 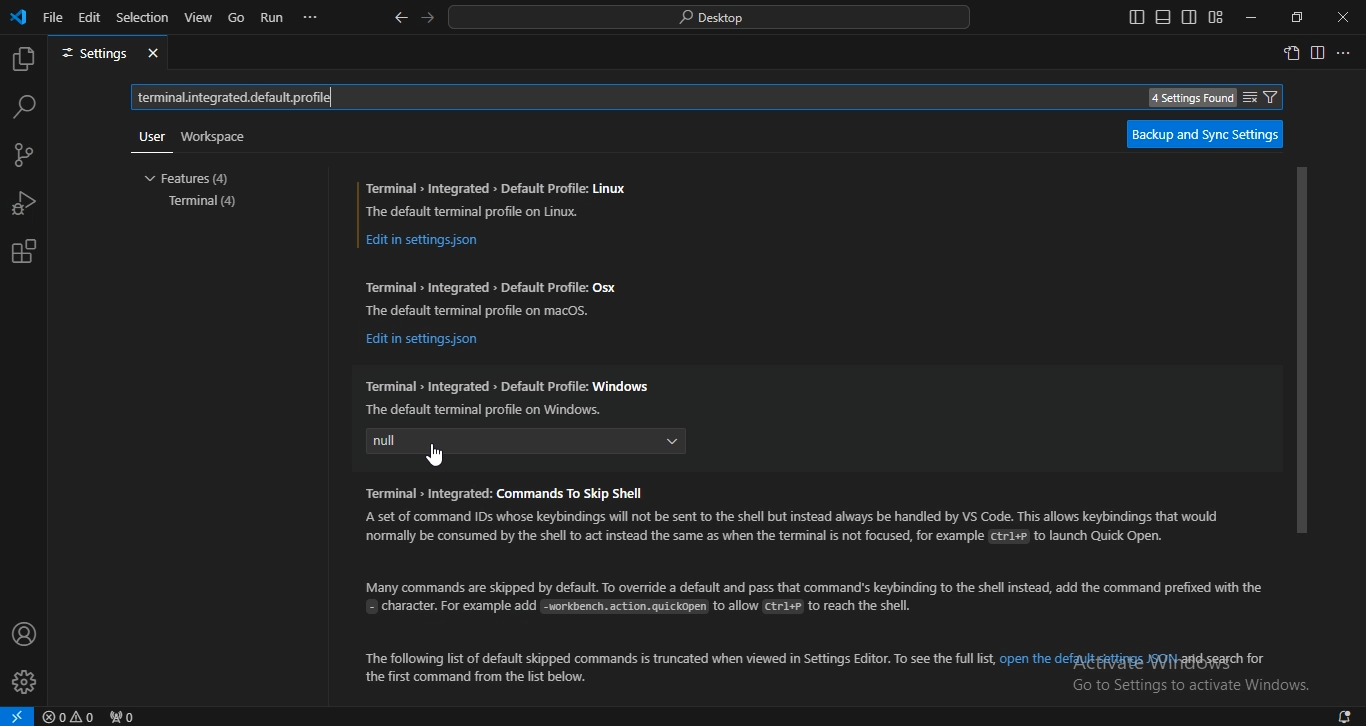 What do you see at coordinates (1188, 16) in the screenshot?
I see `toggle secondary side bar` at bounding box center [1188, 16].